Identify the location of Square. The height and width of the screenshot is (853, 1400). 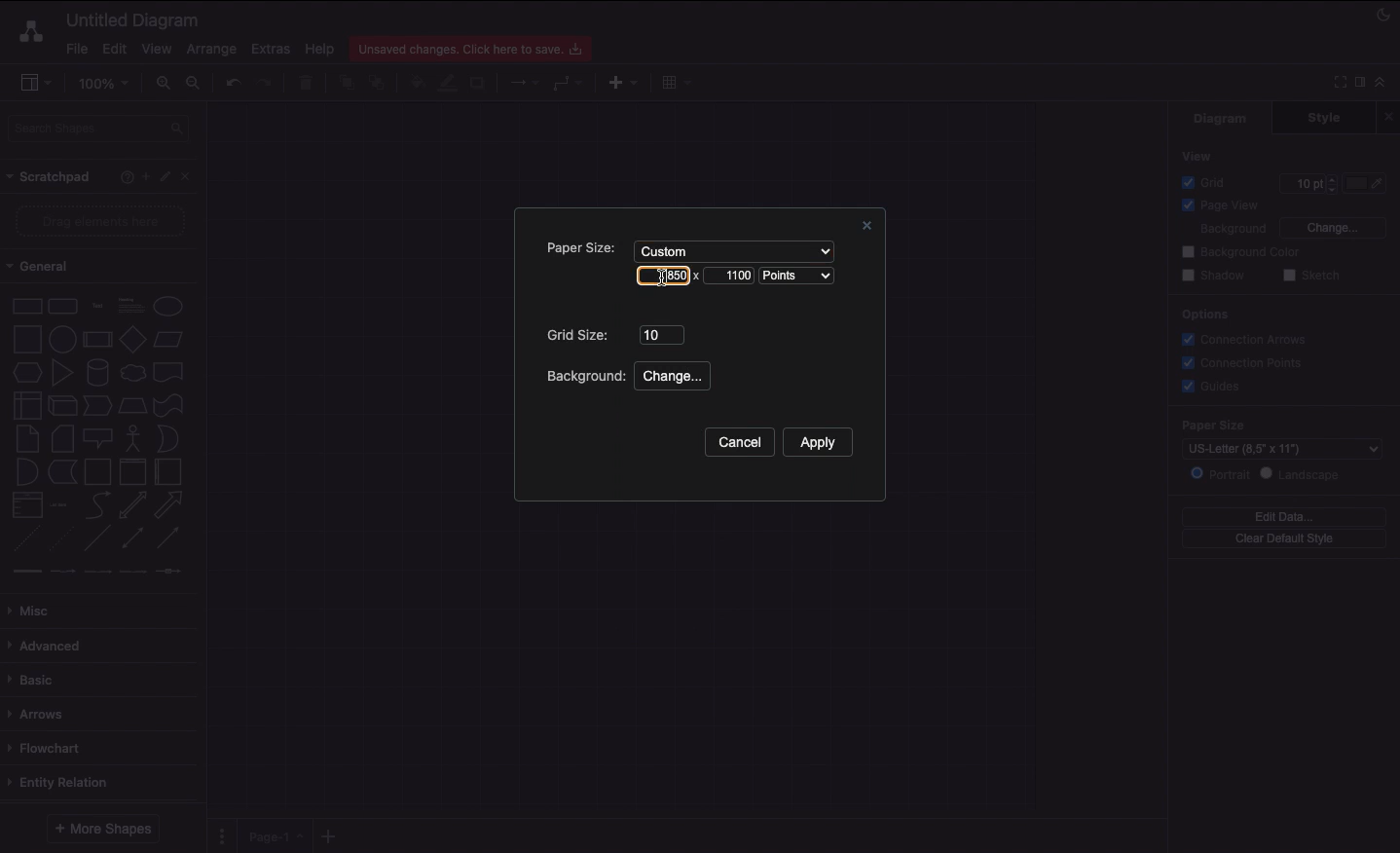
(25, 339).